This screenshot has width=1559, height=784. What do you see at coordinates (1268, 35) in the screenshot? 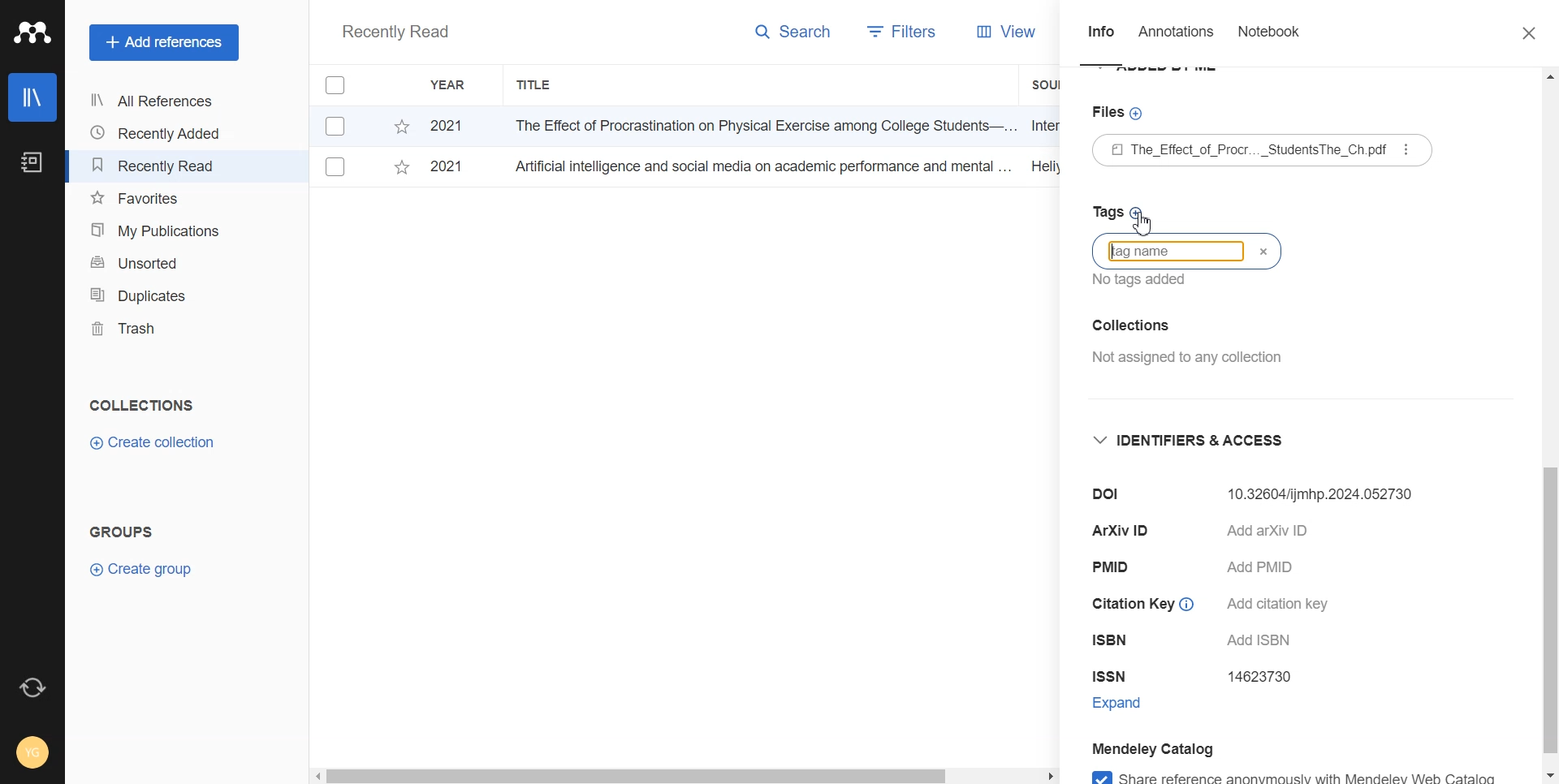
I see `Notebook` at bounding box center [1268, 35].